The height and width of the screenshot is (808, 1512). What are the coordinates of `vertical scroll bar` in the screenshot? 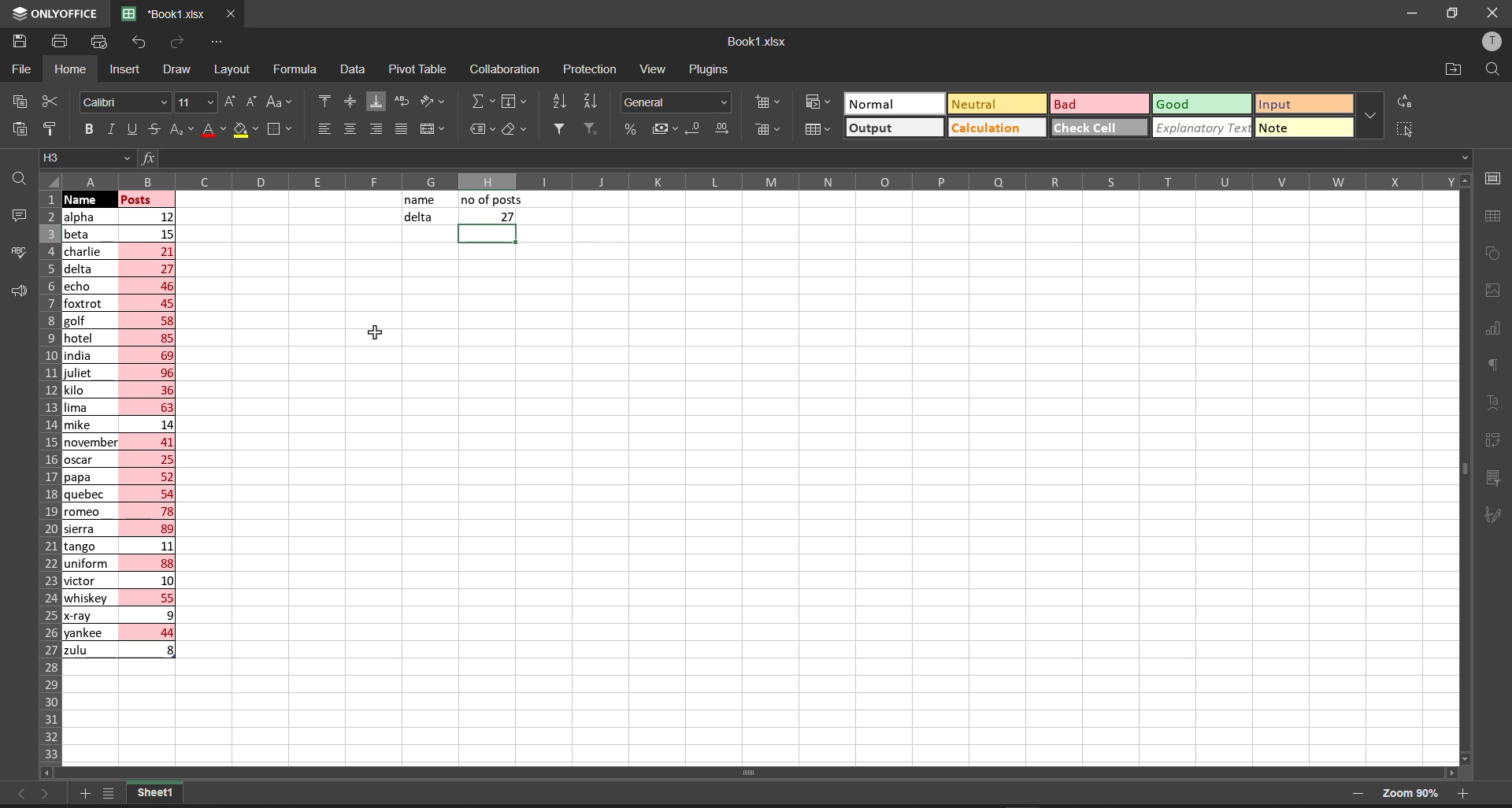 It's located at (1464, 474).